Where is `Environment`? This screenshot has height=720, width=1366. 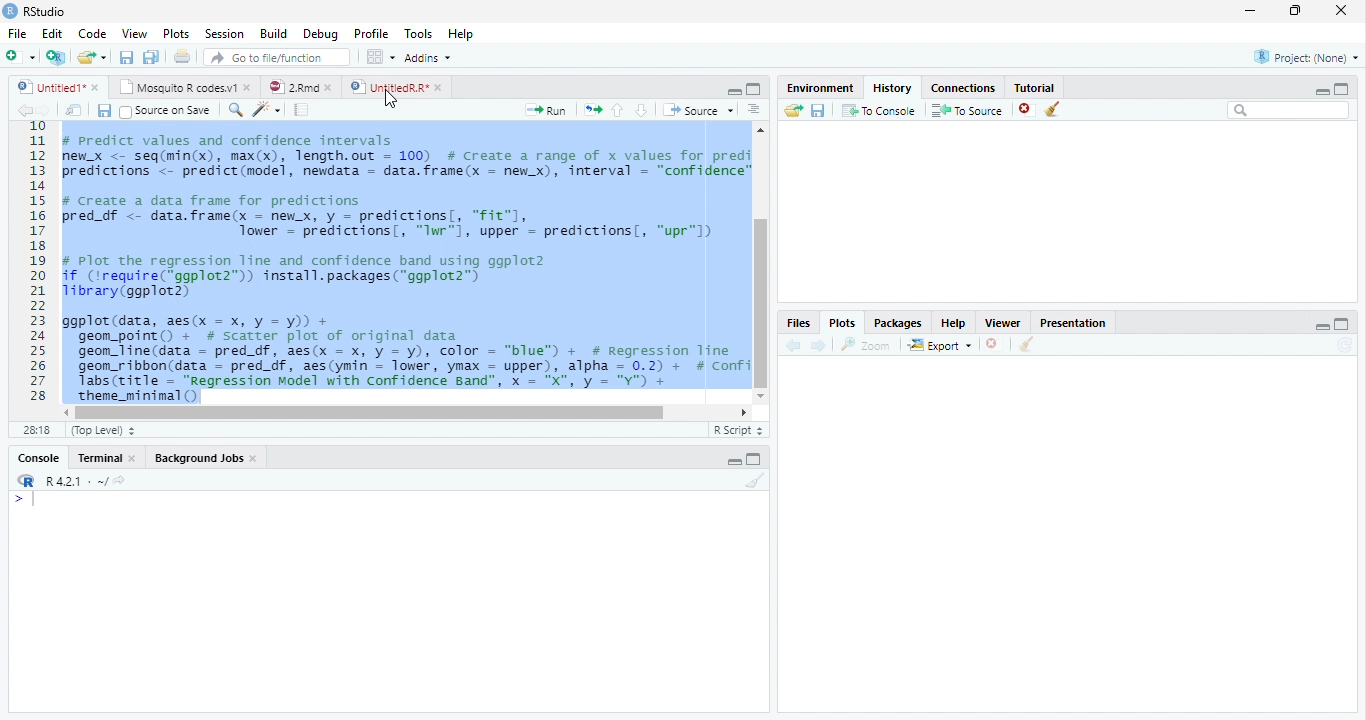 Environment is located at coordinates (820, 88).